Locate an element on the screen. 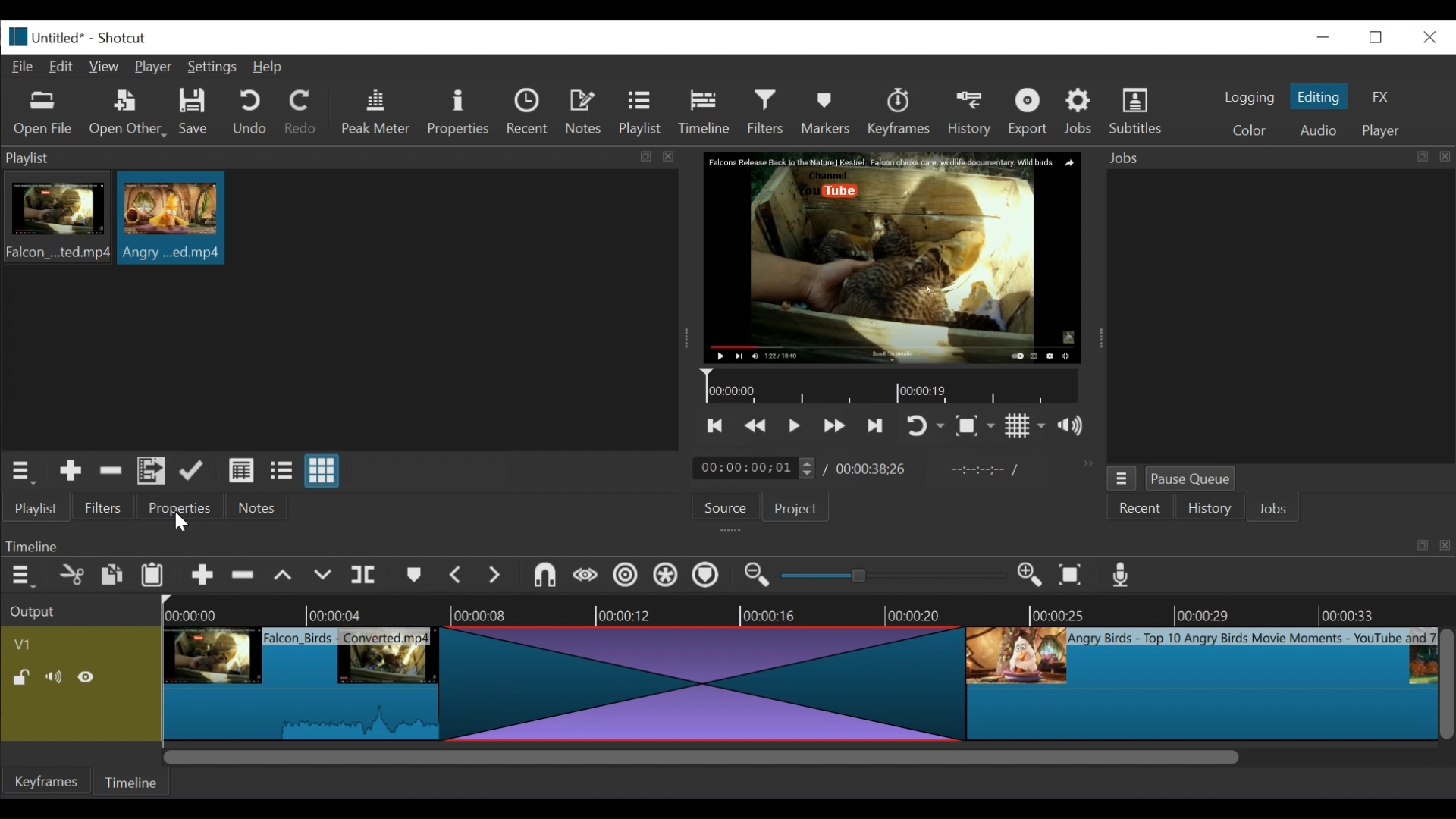 Image resolution: width=1456 pixels, height=819 pixels. Redo is located at coordinates (301, 115).